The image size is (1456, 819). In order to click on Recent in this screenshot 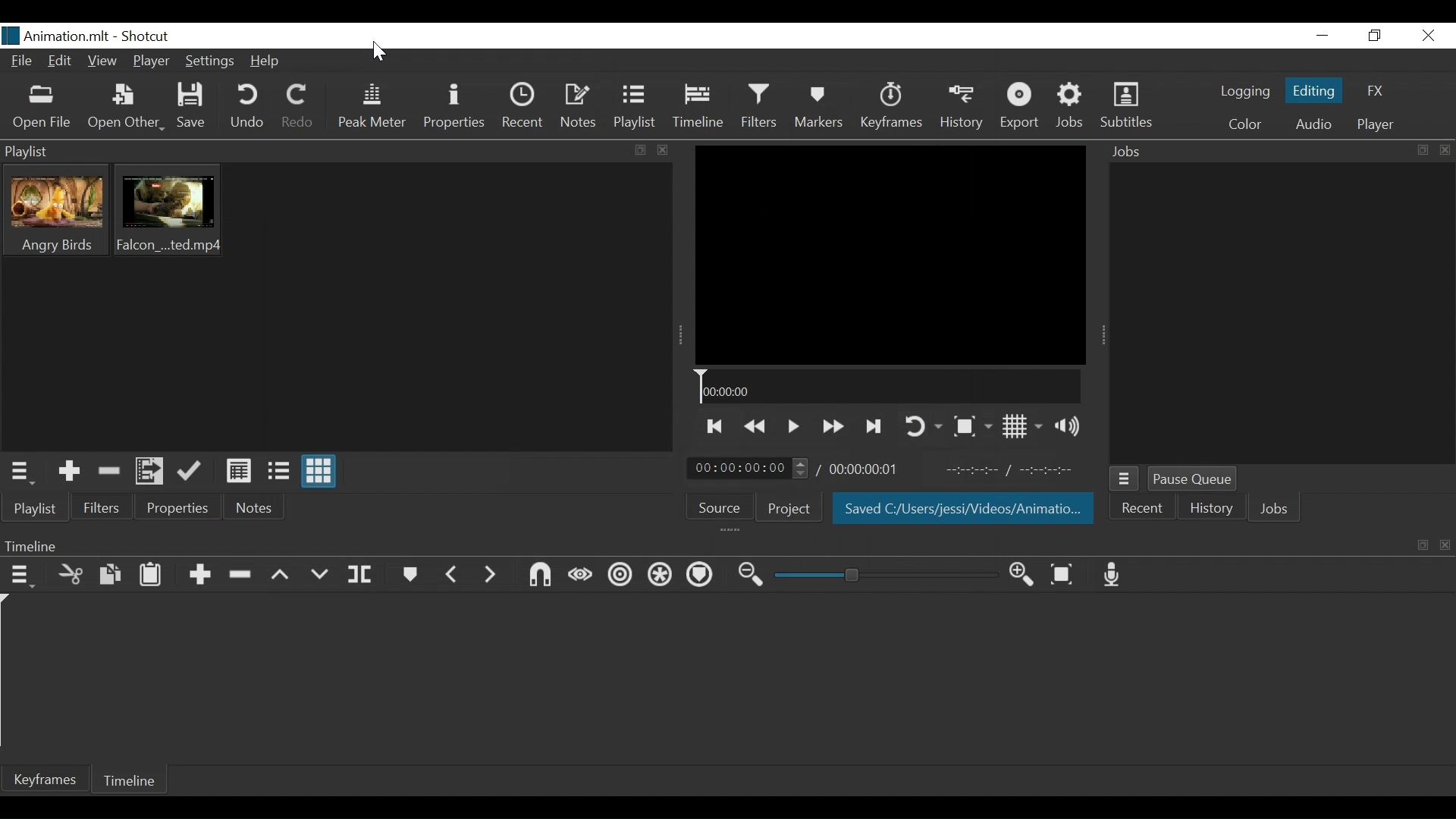, I will do `click(1144, 510)`.